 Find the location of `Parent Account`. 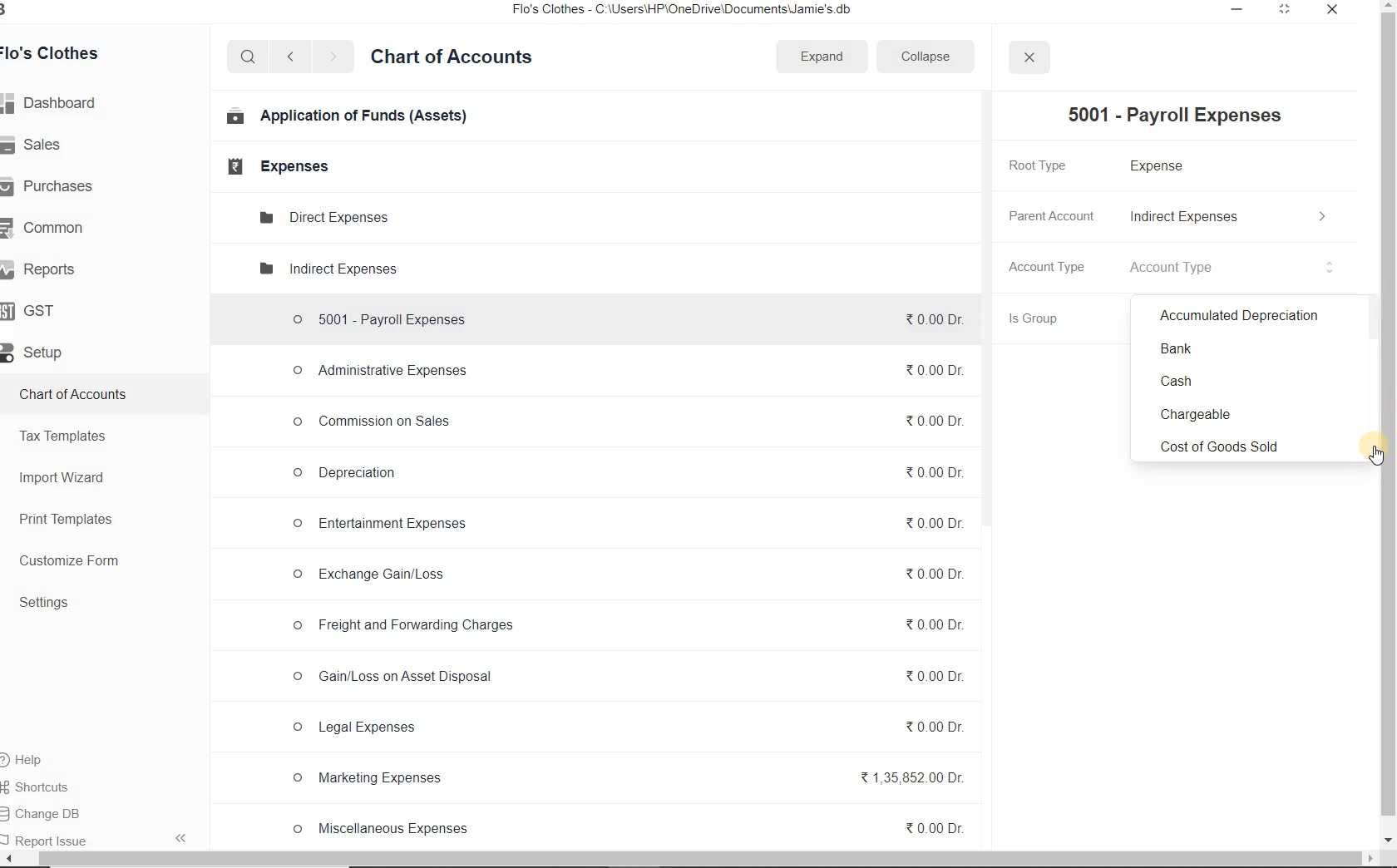

Parent Account is located at coordinates (1052, 213).